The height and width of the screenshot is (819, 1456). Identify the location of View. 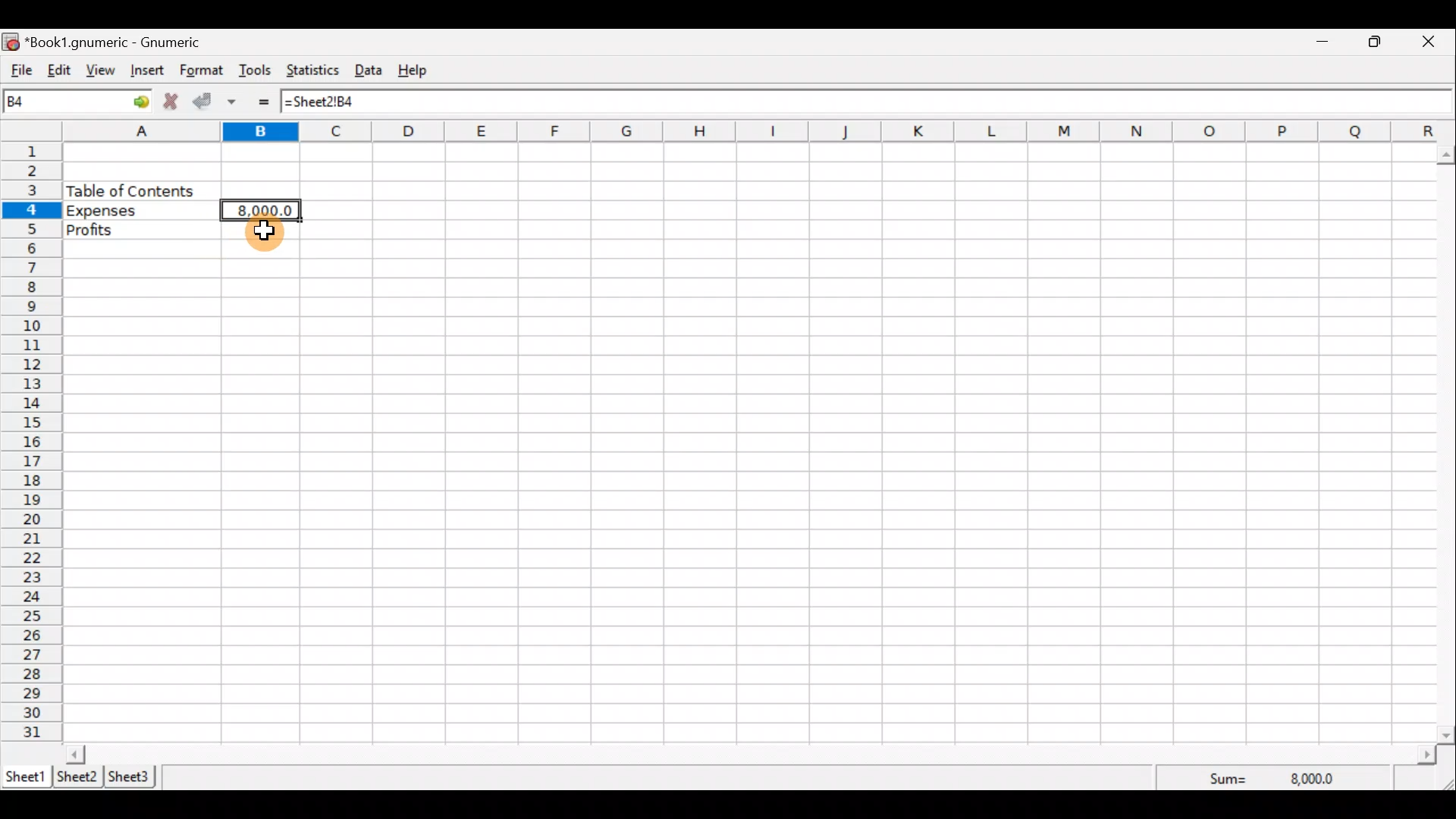
(105, 71).